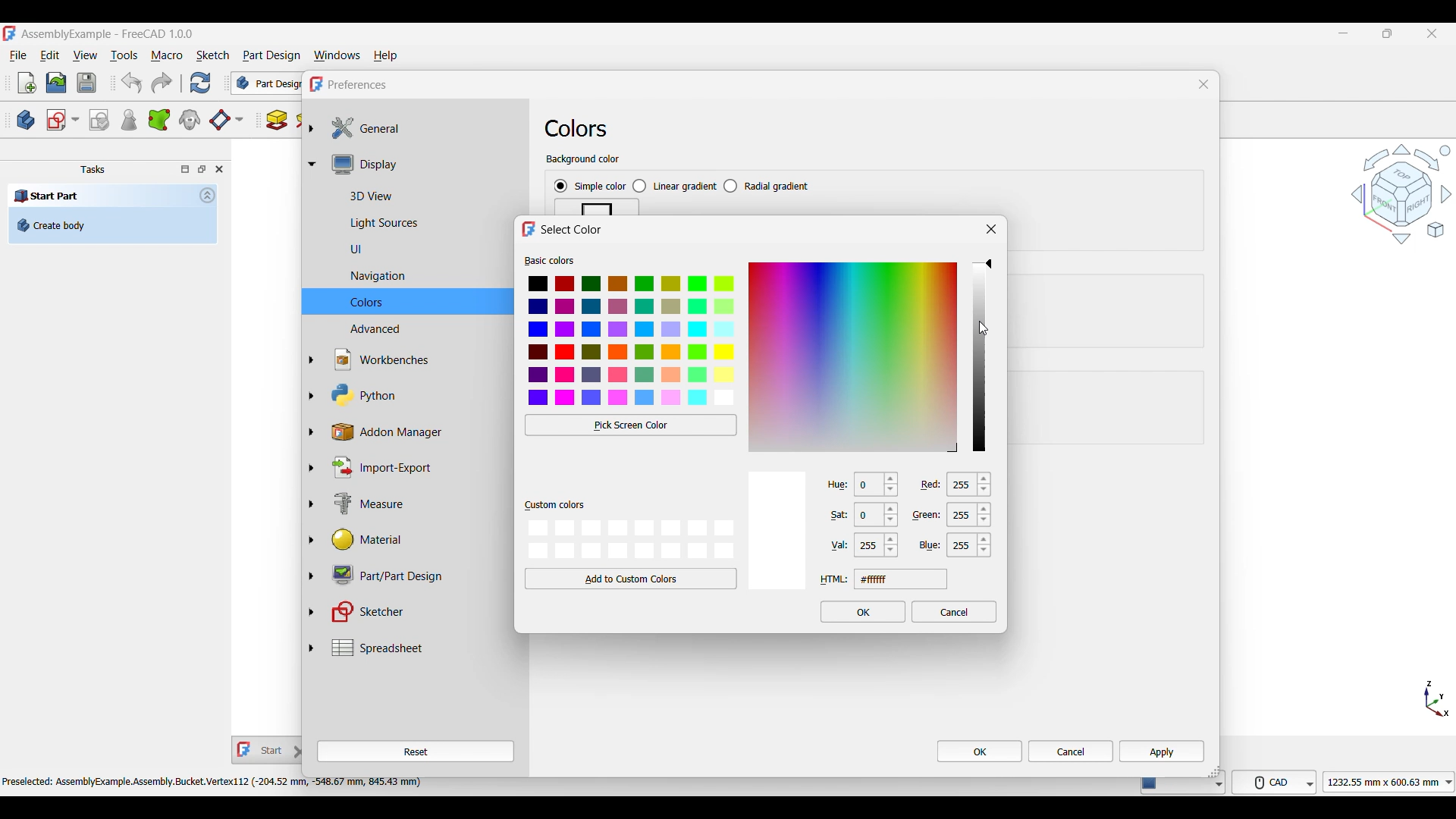  What do you see at coordinates (418, 224) in the screenshot?
I see `Light sources` at bounding box center [418, 224].